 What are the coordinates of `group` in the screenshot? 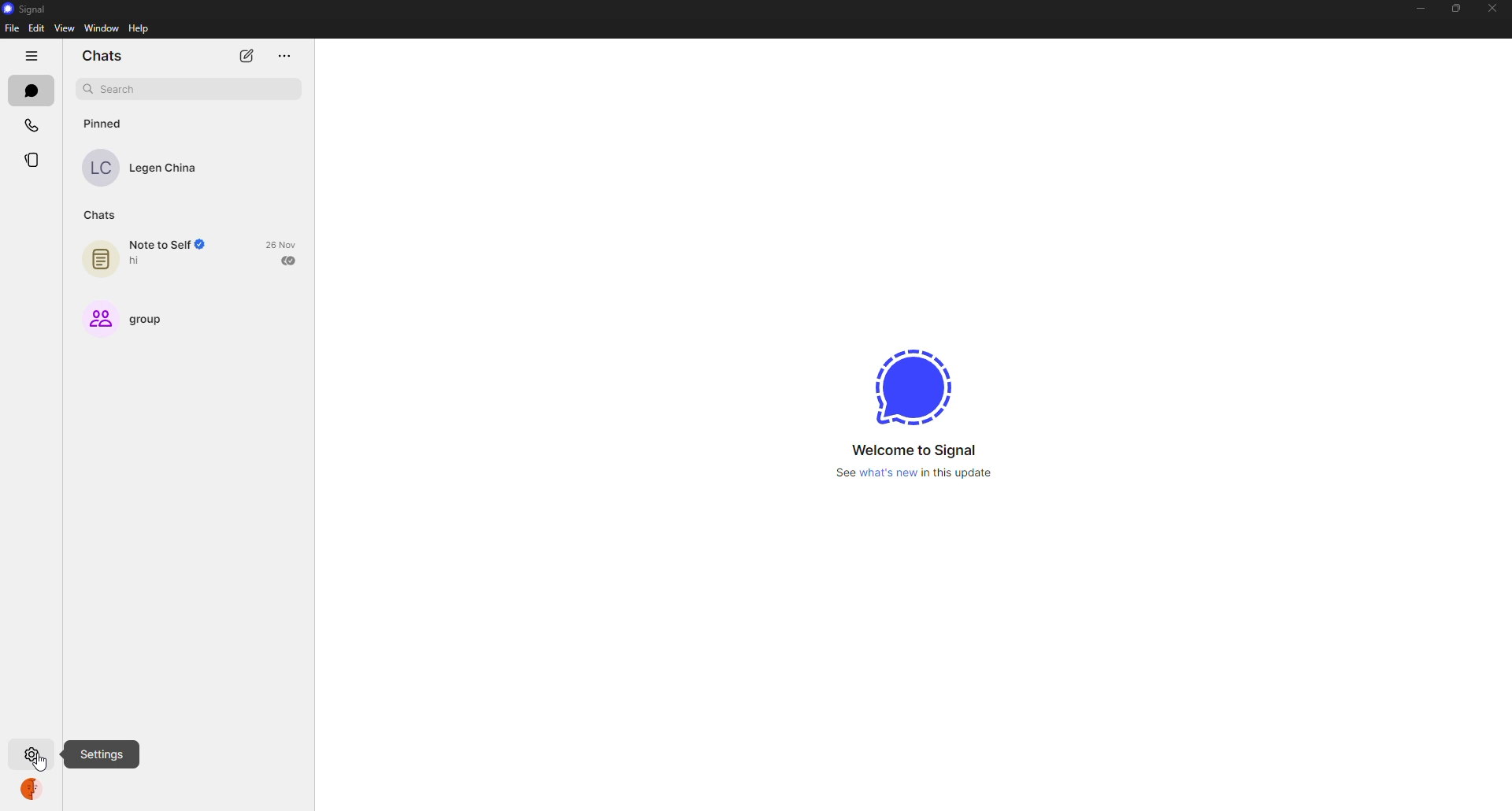 It's located at (132, 317).